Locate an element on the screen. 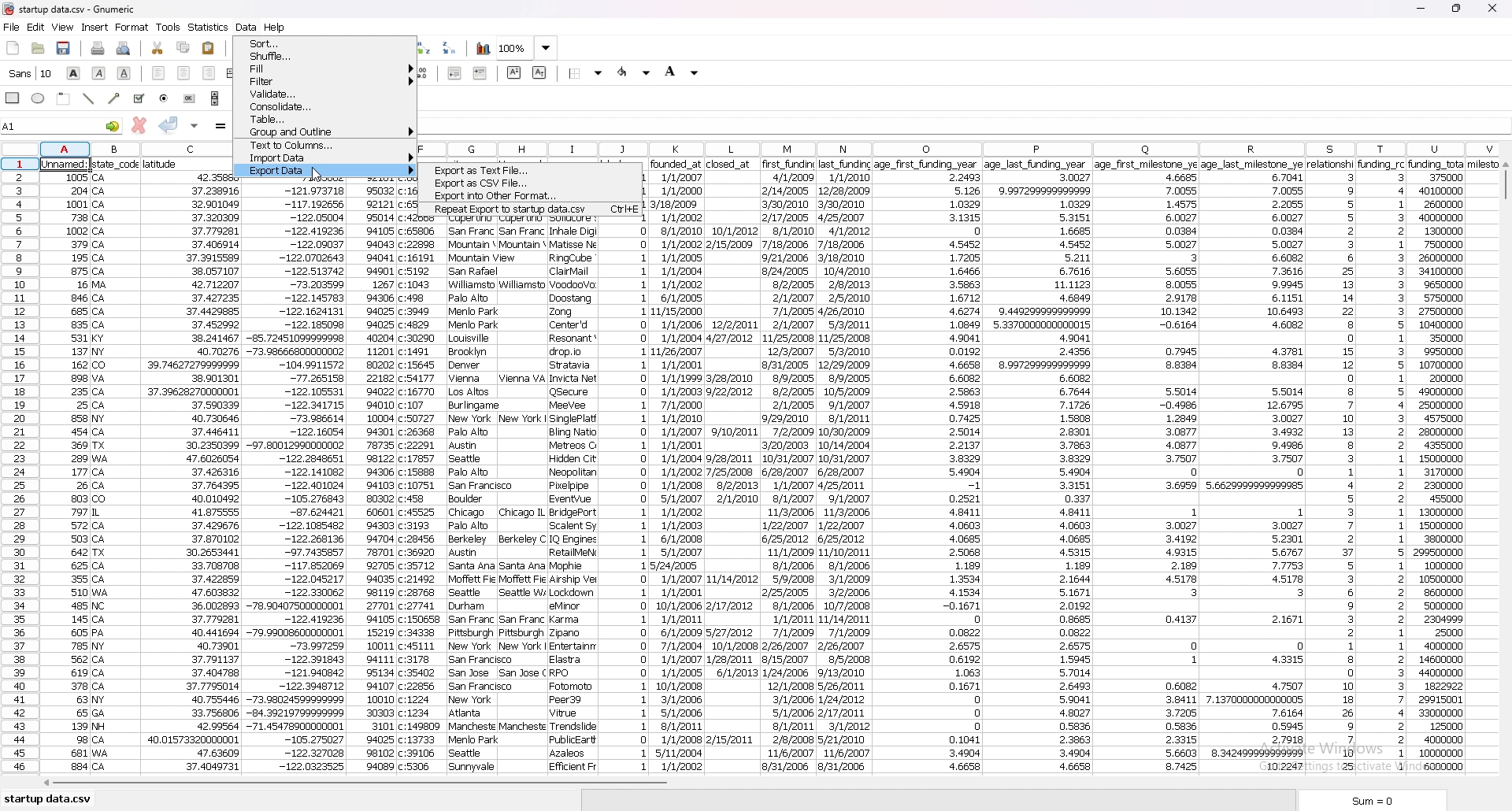  export data is located at coordinates (328, 171).